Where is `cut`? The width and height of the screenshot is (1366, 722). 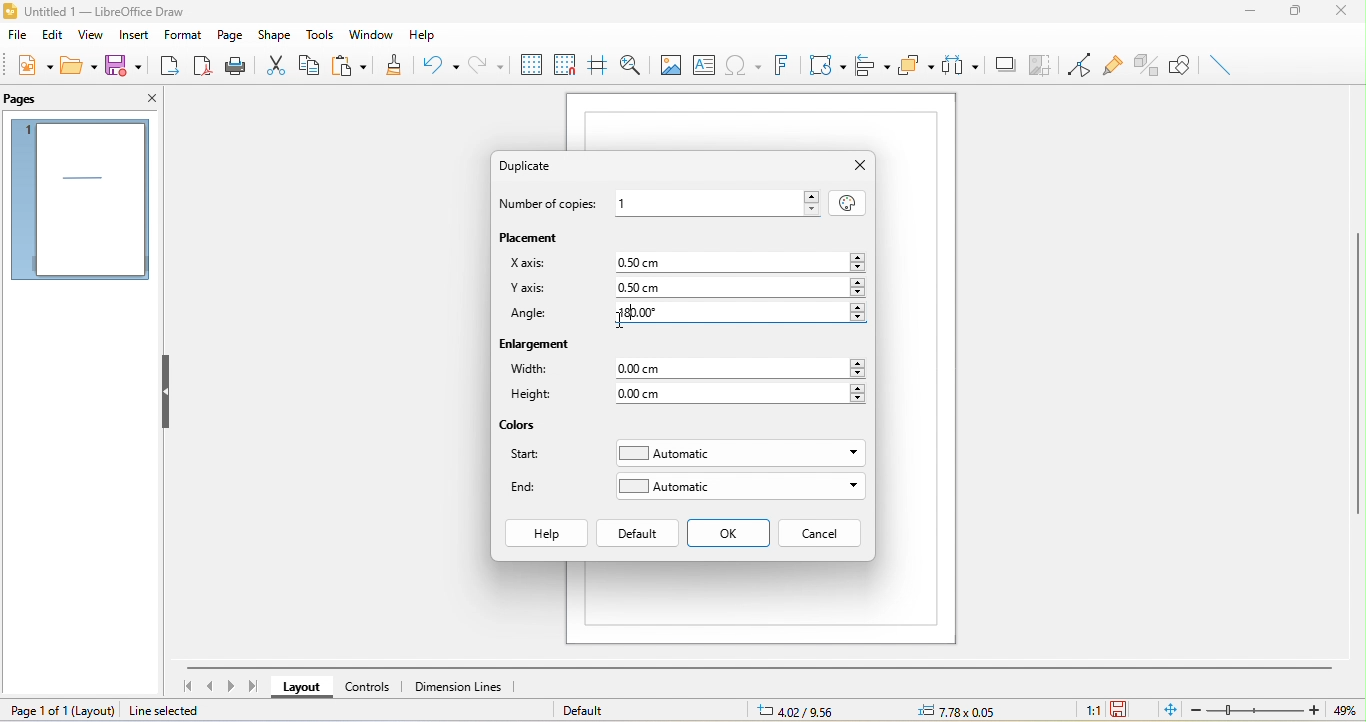 cut is located at coordinates (281, 64).